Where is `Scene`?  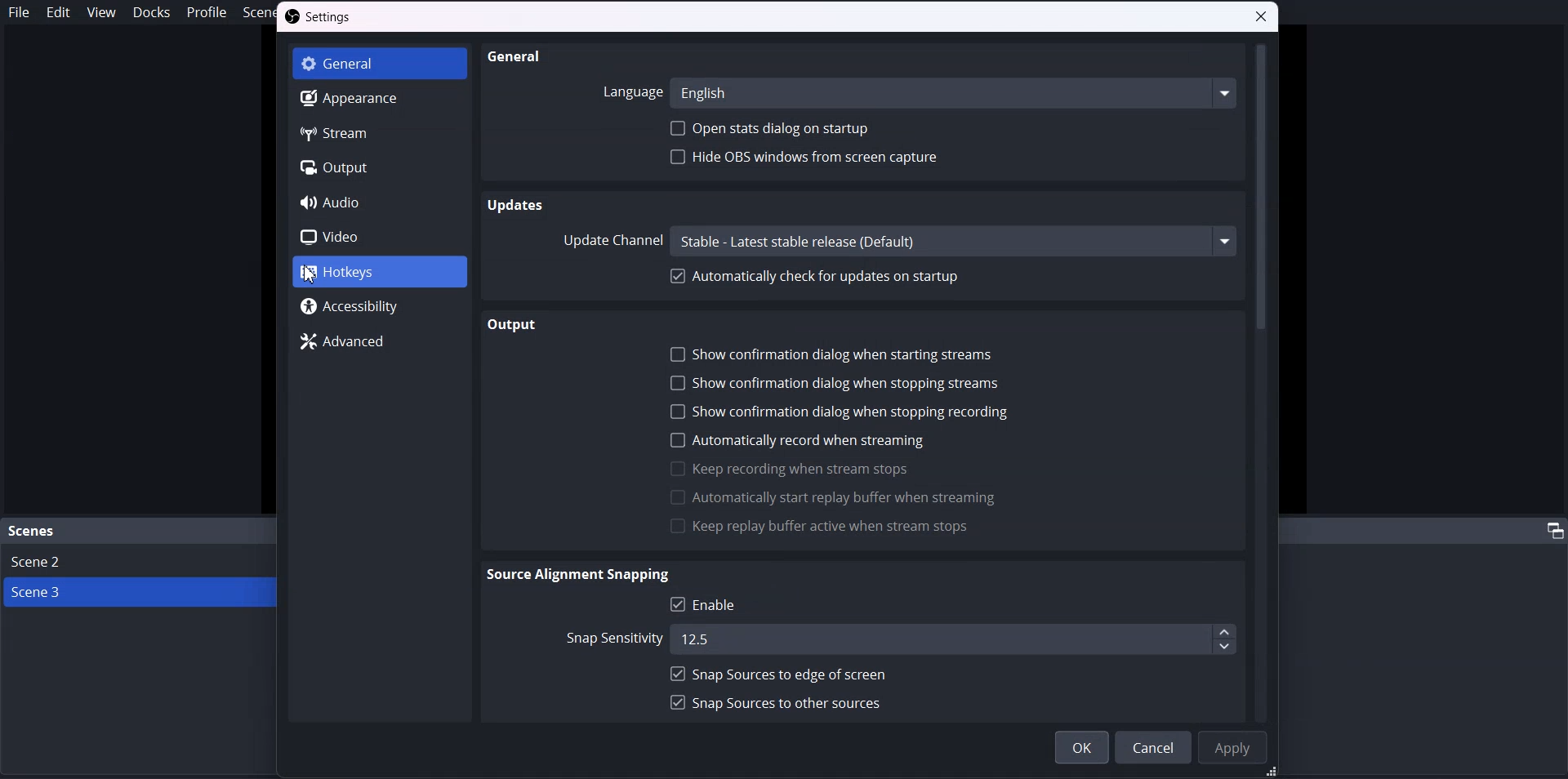 Scene is located at coordinates (33, 532).